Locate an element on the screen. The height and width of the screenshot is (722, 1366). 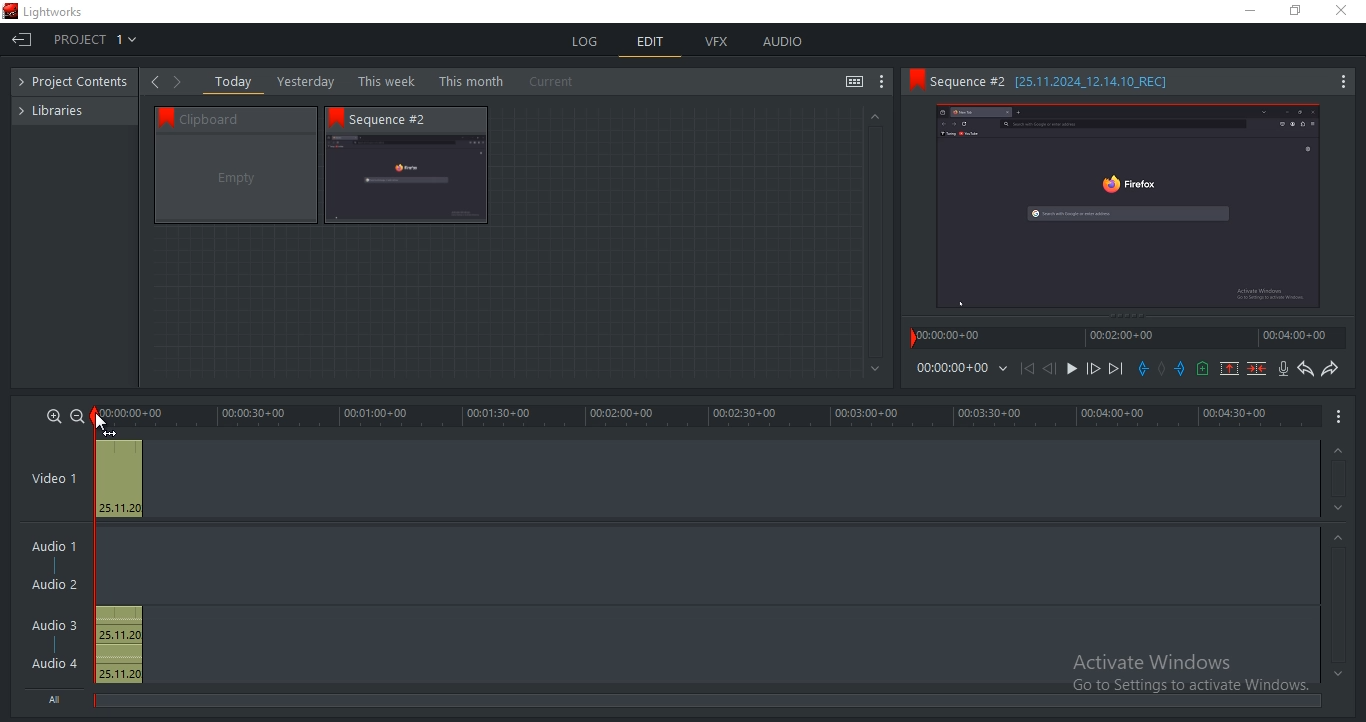
timeline is located at coordinates (951, 368).